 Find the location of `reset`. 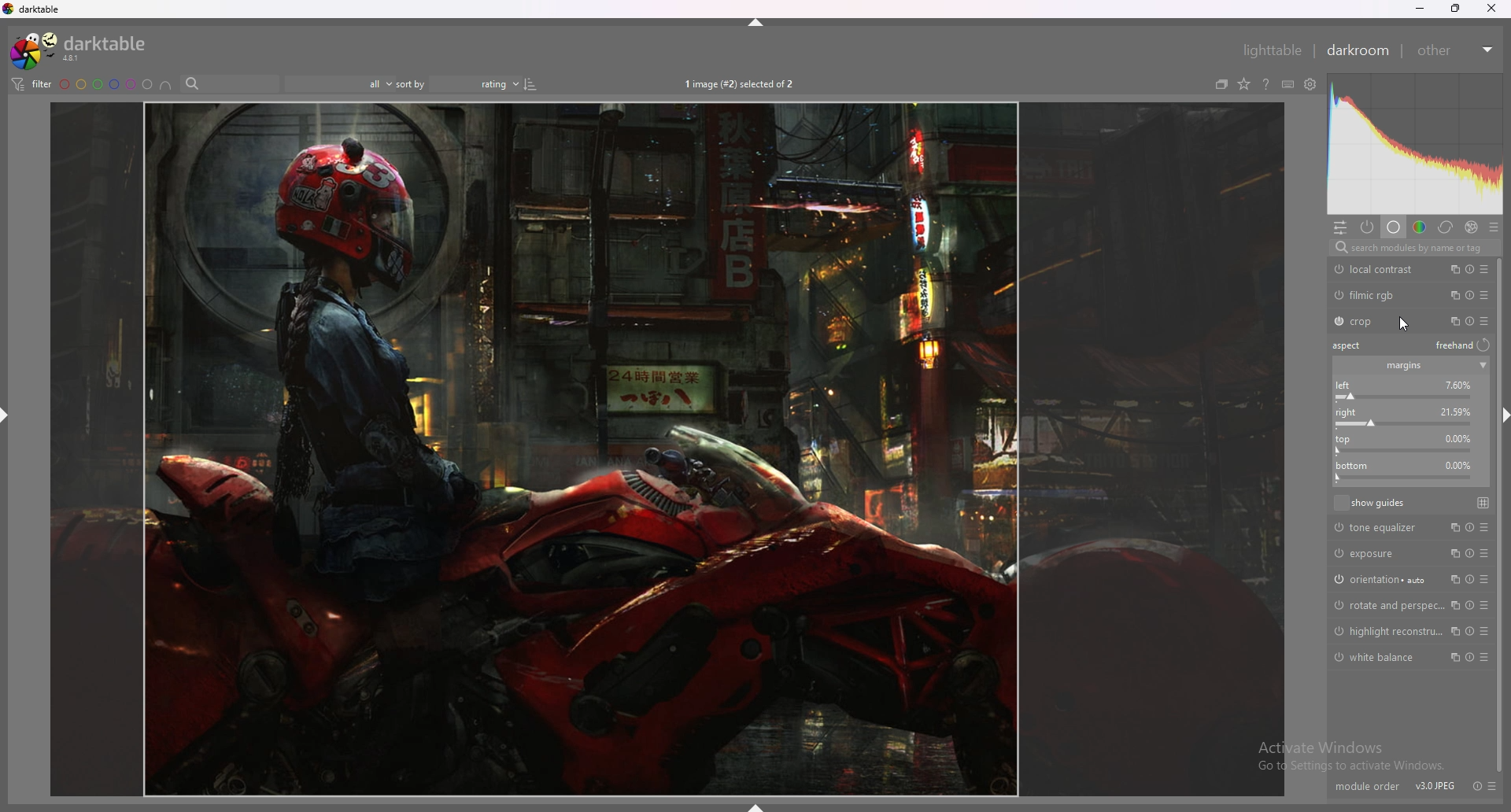

reset is located at coordinates (1479, 787).